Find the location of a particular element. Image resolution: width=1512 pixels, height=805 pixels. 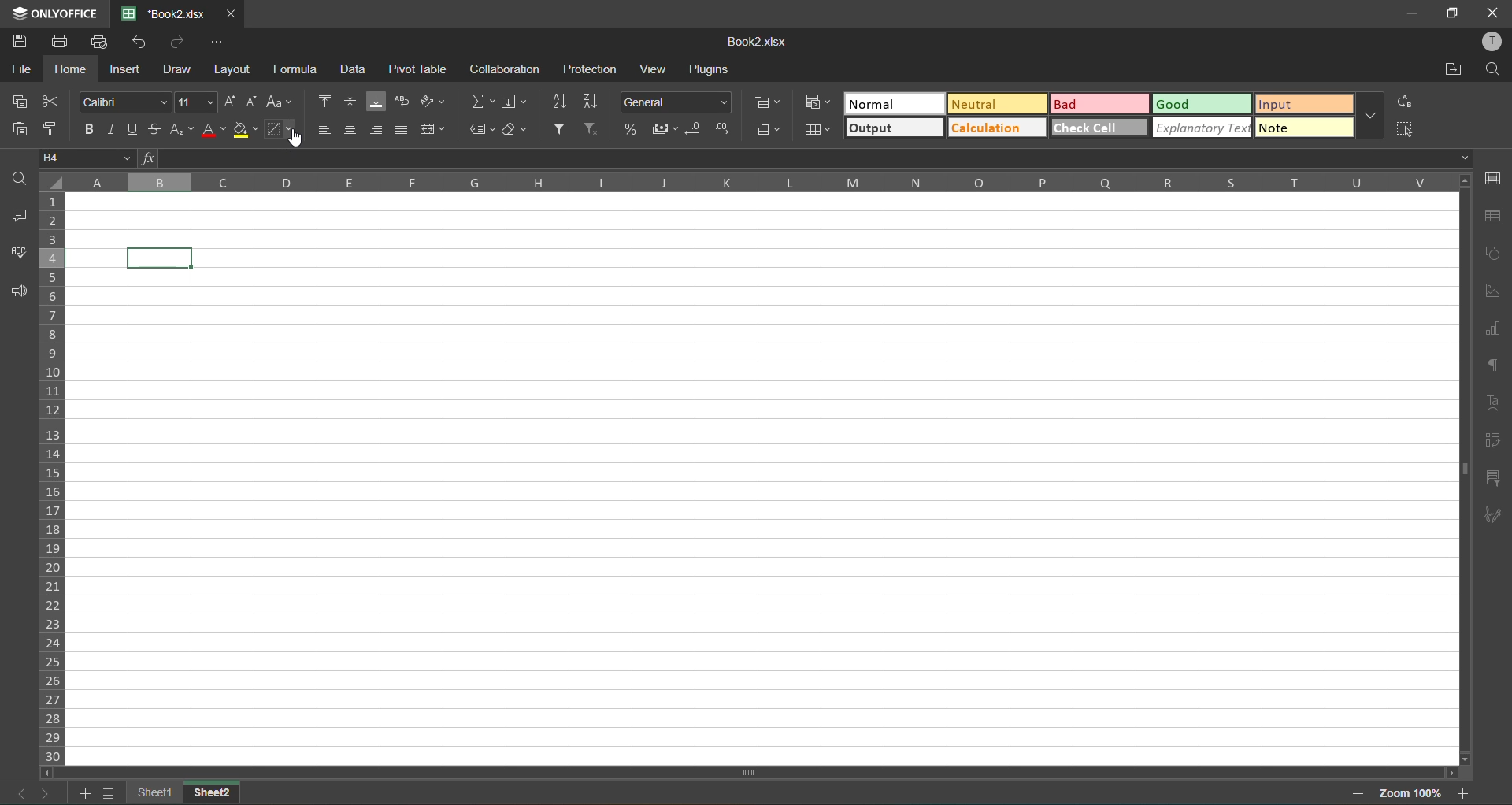

copystyle is located at coordinates (51, 124).